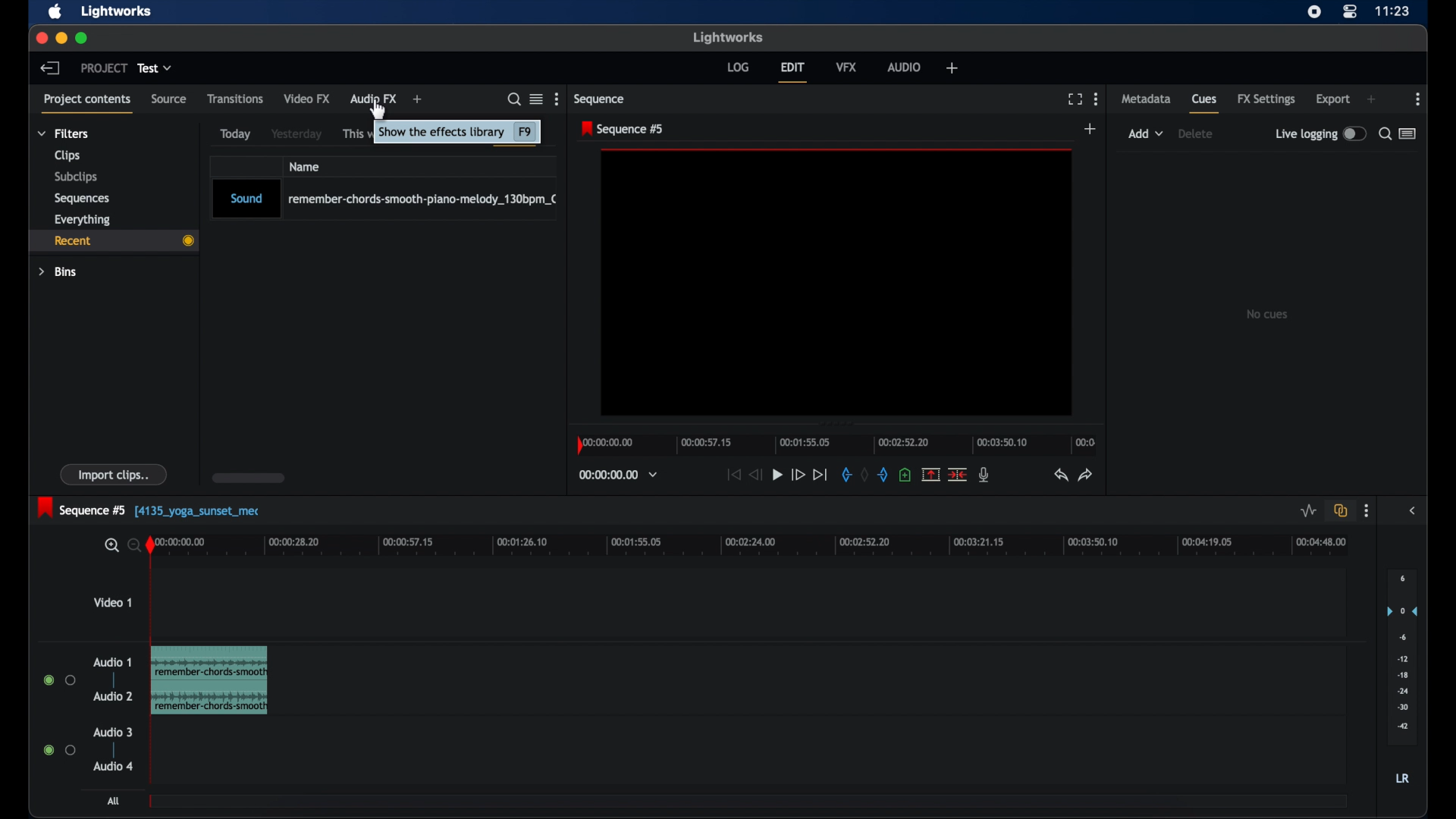 The height and width of the screenshot is (819, 1456). What do you see at coordinates (905, 66) in the screenshot?
I see `audio` at bounding box center [905, 66].